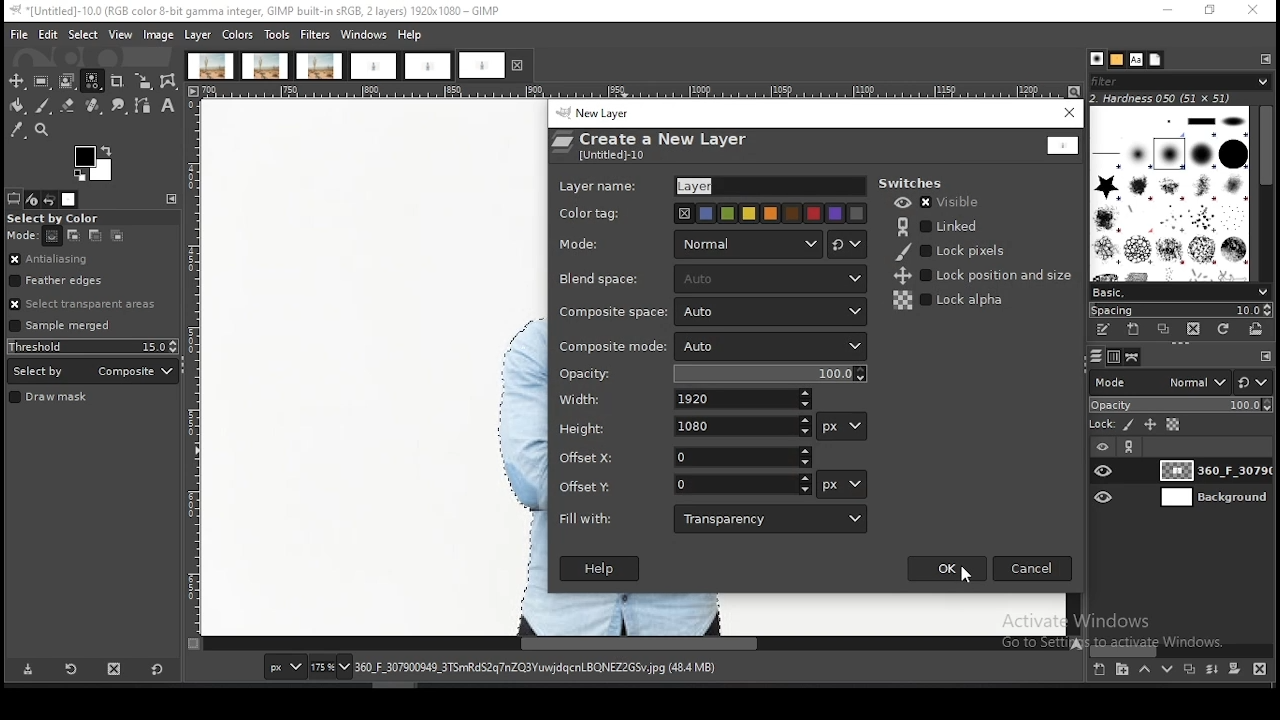 Image resolution: width=1280 pixels, height=720 pixels. What do you see at coordinates (332, 668) in the screenshot?
I see `zoom status` at bounding box center [332, 668].